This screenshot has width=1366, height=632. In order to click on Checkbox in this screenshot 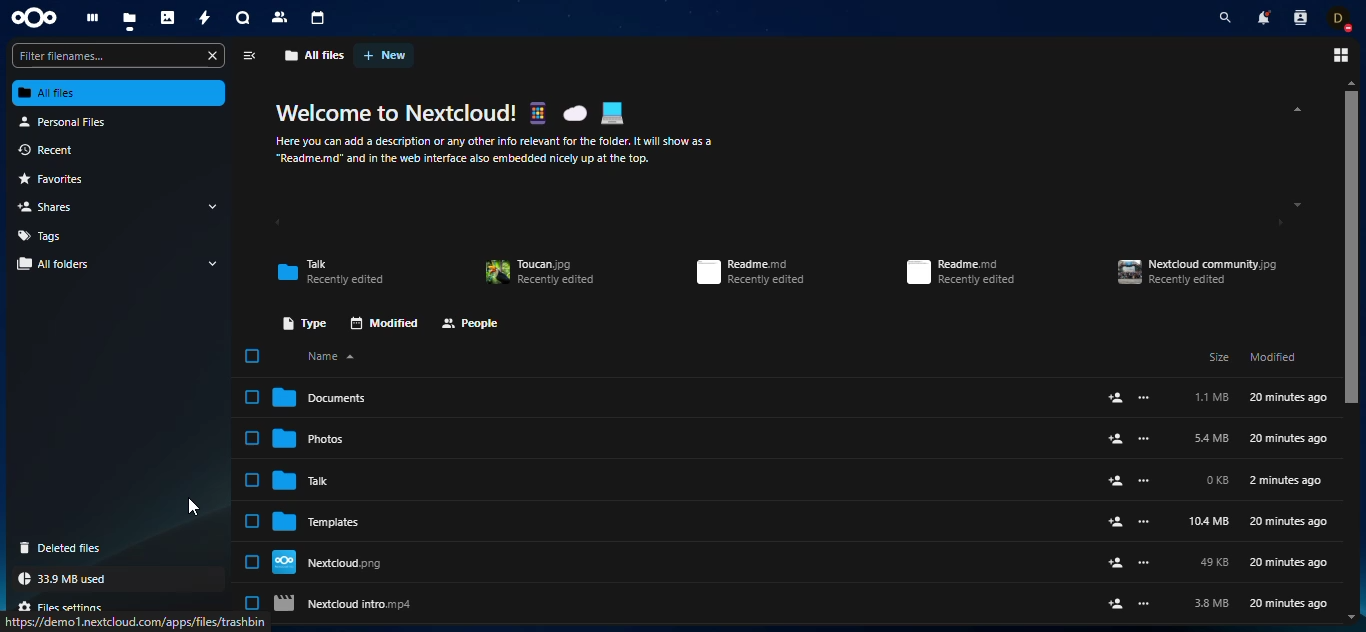, I will do `click(249, 357)`.